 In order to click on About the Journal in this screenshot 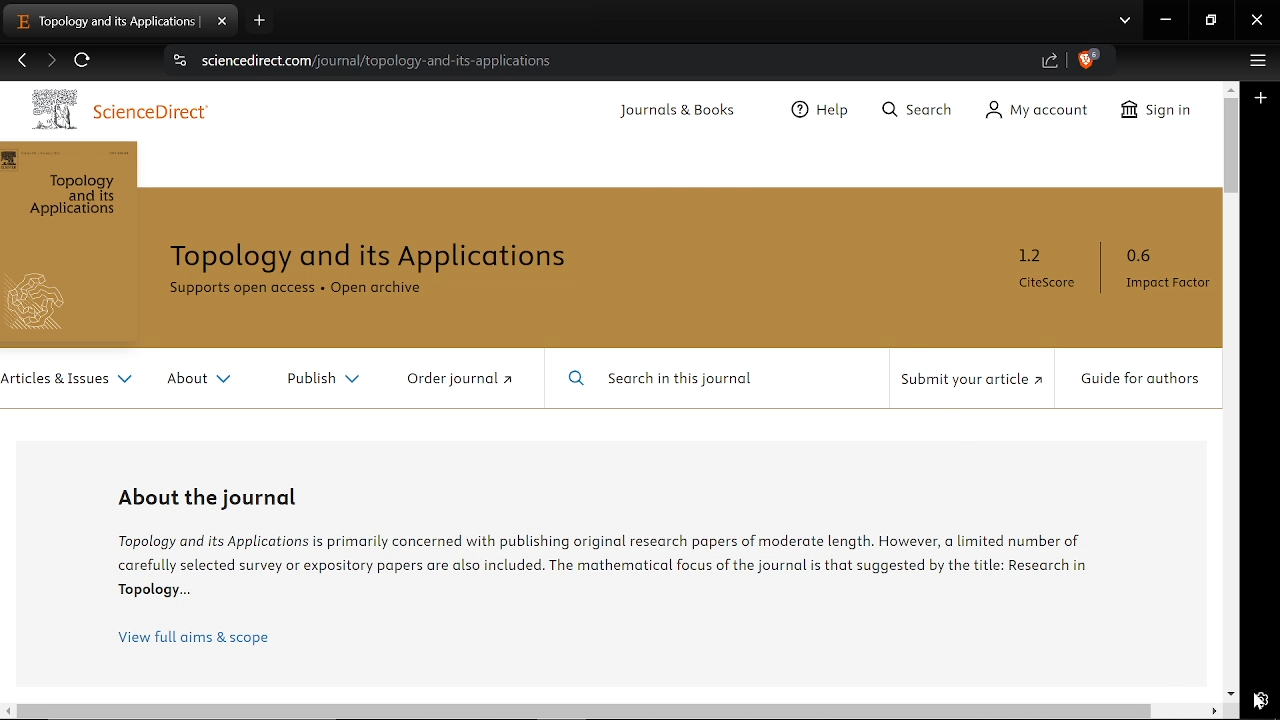, I will do `click(219, 496)`.